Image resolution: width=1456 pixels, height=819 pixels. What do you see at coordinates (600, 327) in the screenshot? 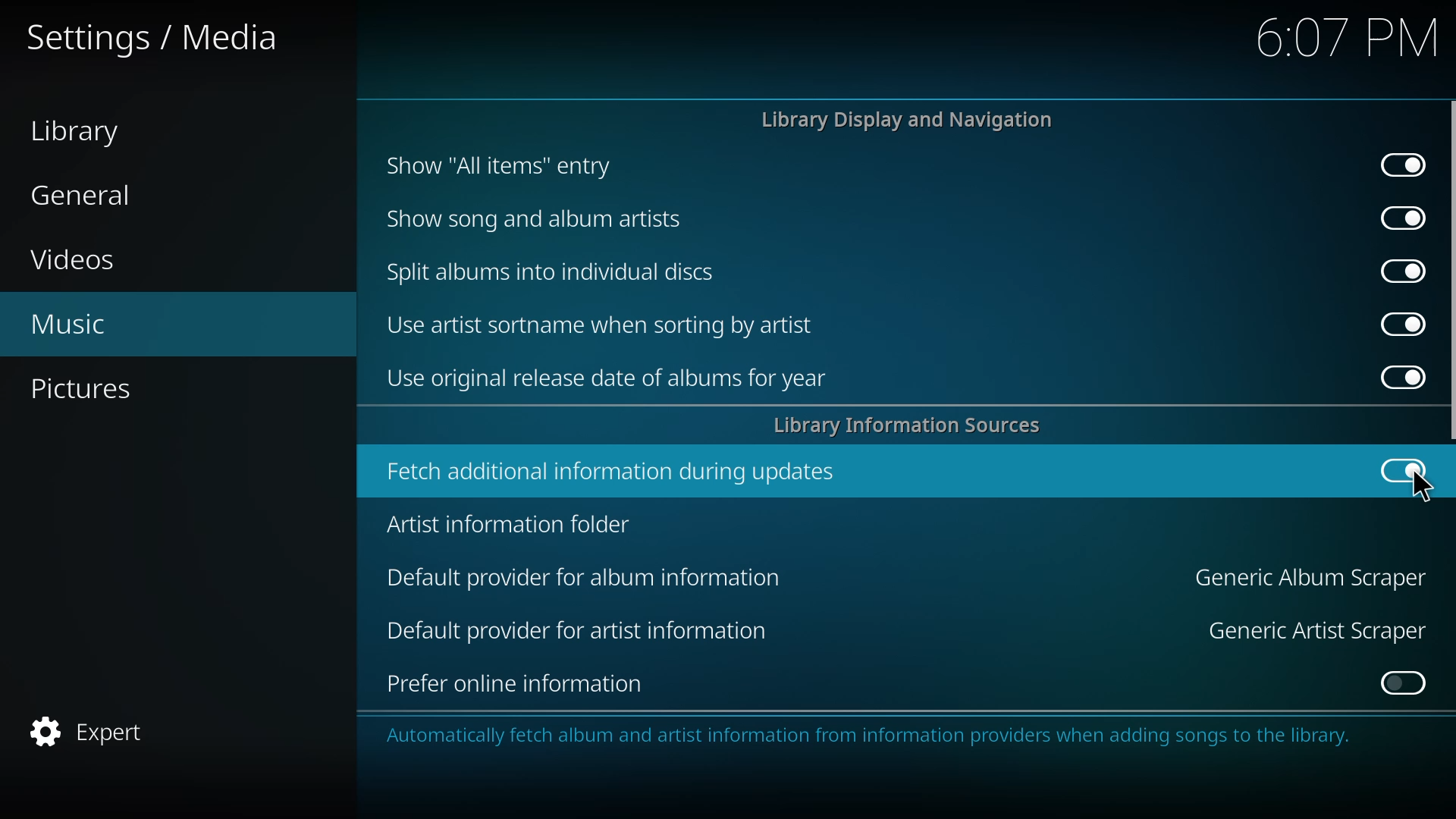
I see `Use artist sorthname when sorting by artist` at bounding box center [600, 327].